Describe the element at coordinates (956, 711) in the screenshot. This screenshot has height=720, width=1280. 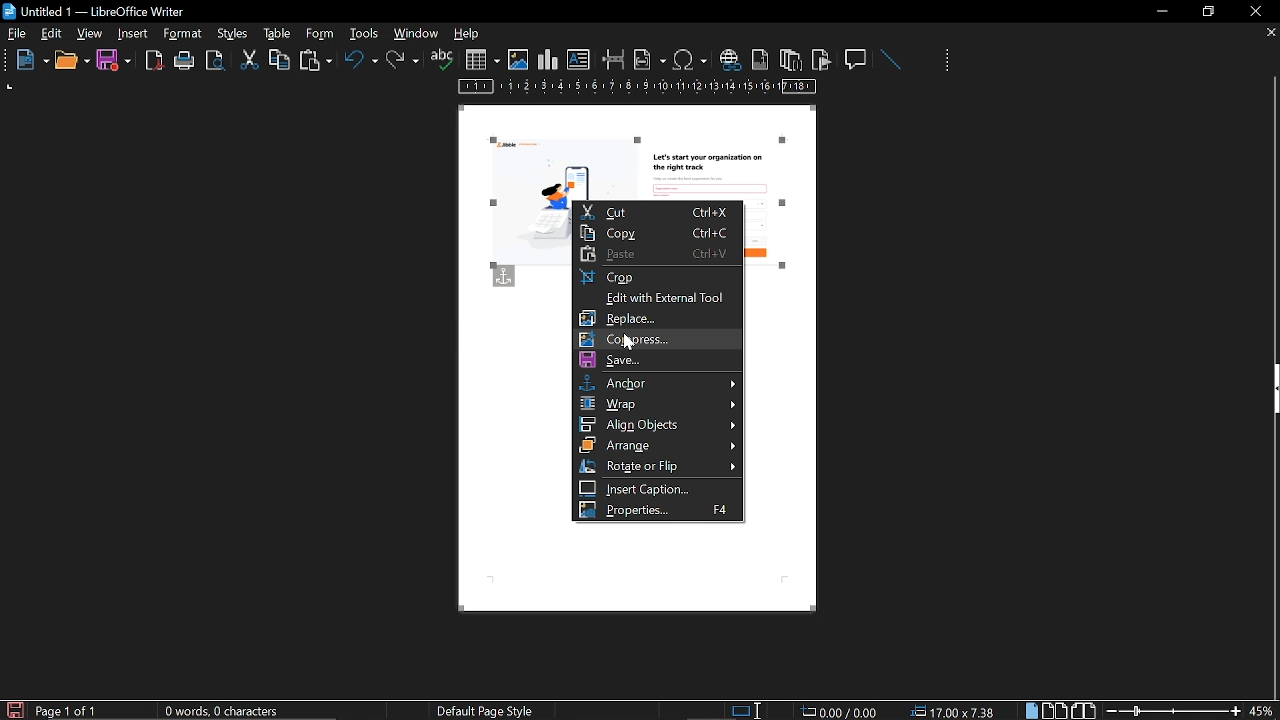
I see `position` at that location.